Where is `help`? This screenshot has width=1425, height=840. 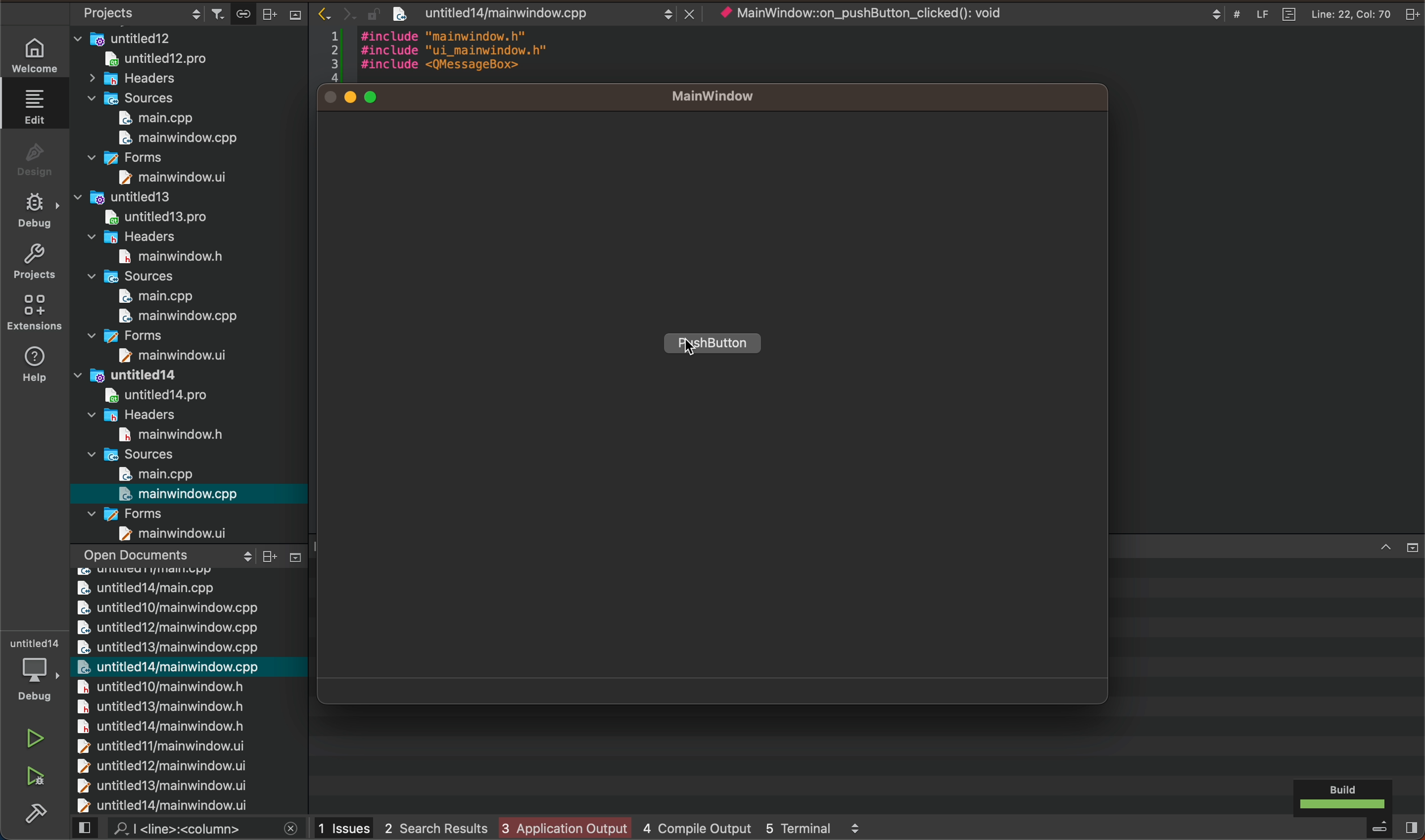
help is located at coordinates (33, 364).